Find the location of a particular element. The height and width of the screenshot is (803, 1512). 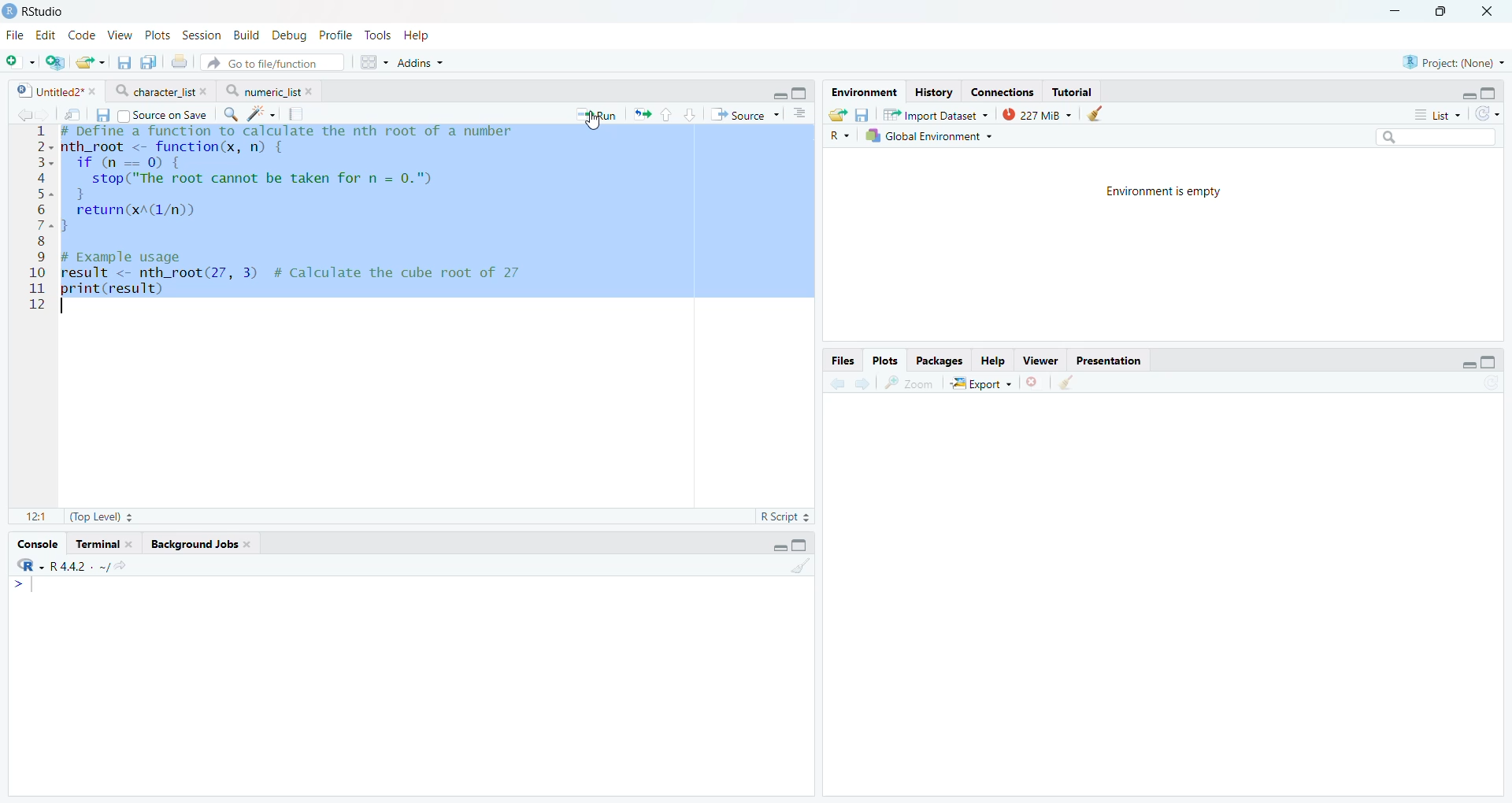

# Define a function to calculate the nth root of a number + nth_root <- function(x, n) { if (n==0) {stop("The root cannot be taken for n = 0.")} return(xA(1/n)) } # Example usage result <- nth_root(27, 3) # Calculate the cube root of 2711 print(result) is located at coordinates (438, 216).